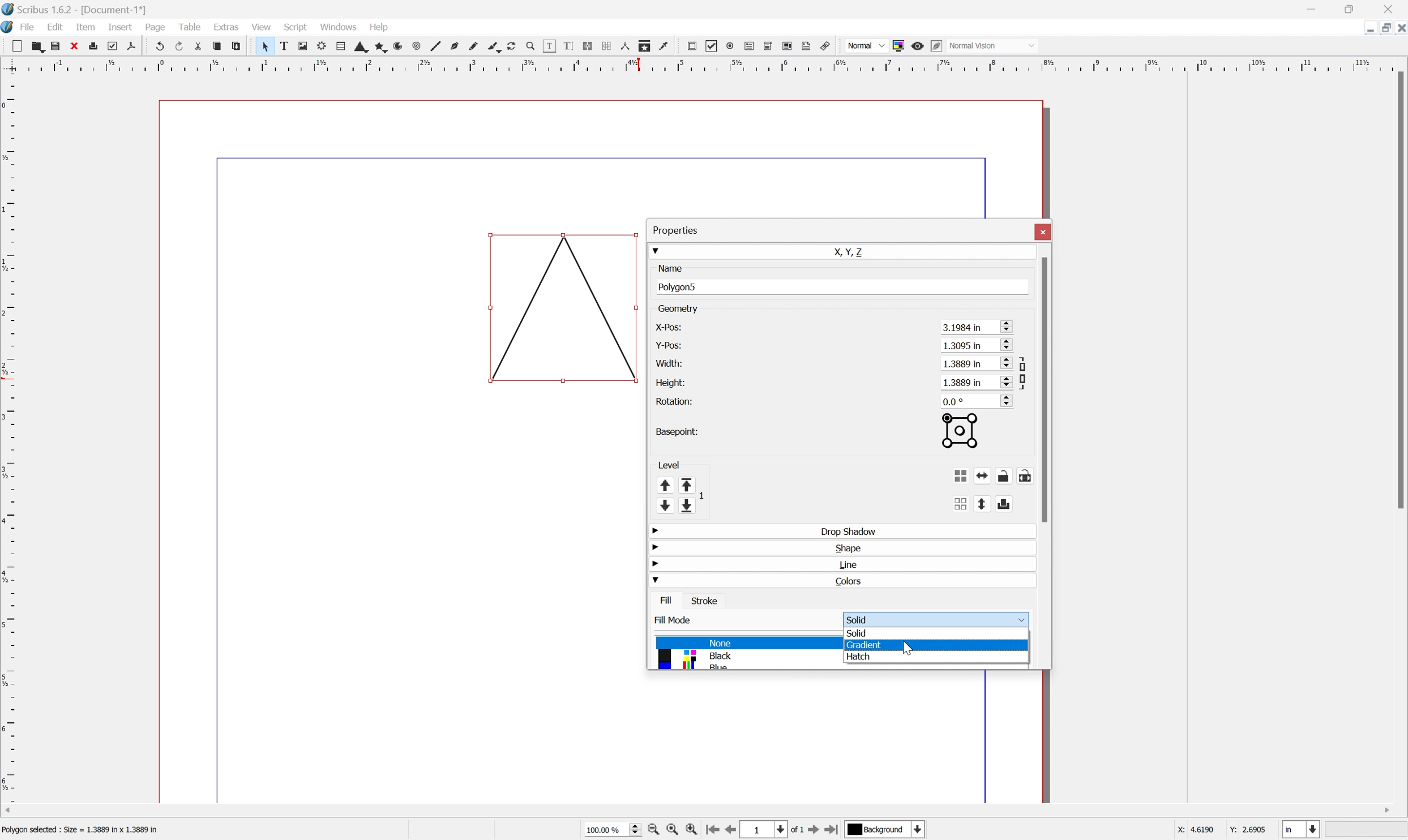  What do you see at coordinates (991, 45) in the screenshot?
I see `Normal Vision` at bounding box center [991, 45].